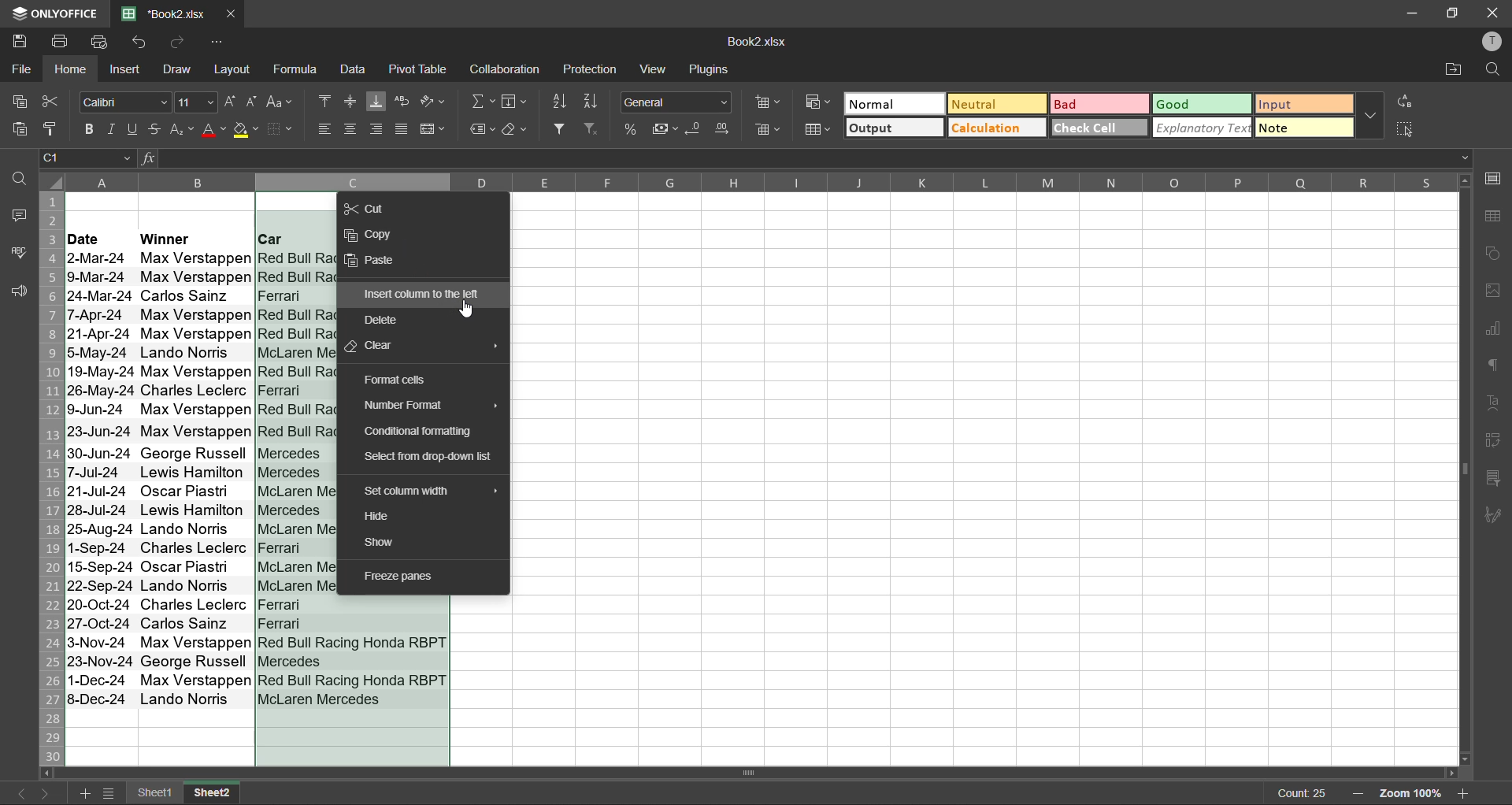 This screenshot has height=805, width=1512. Describe the element at coordinates (1367, 118) in the screenshot. I see `more options` at that location.